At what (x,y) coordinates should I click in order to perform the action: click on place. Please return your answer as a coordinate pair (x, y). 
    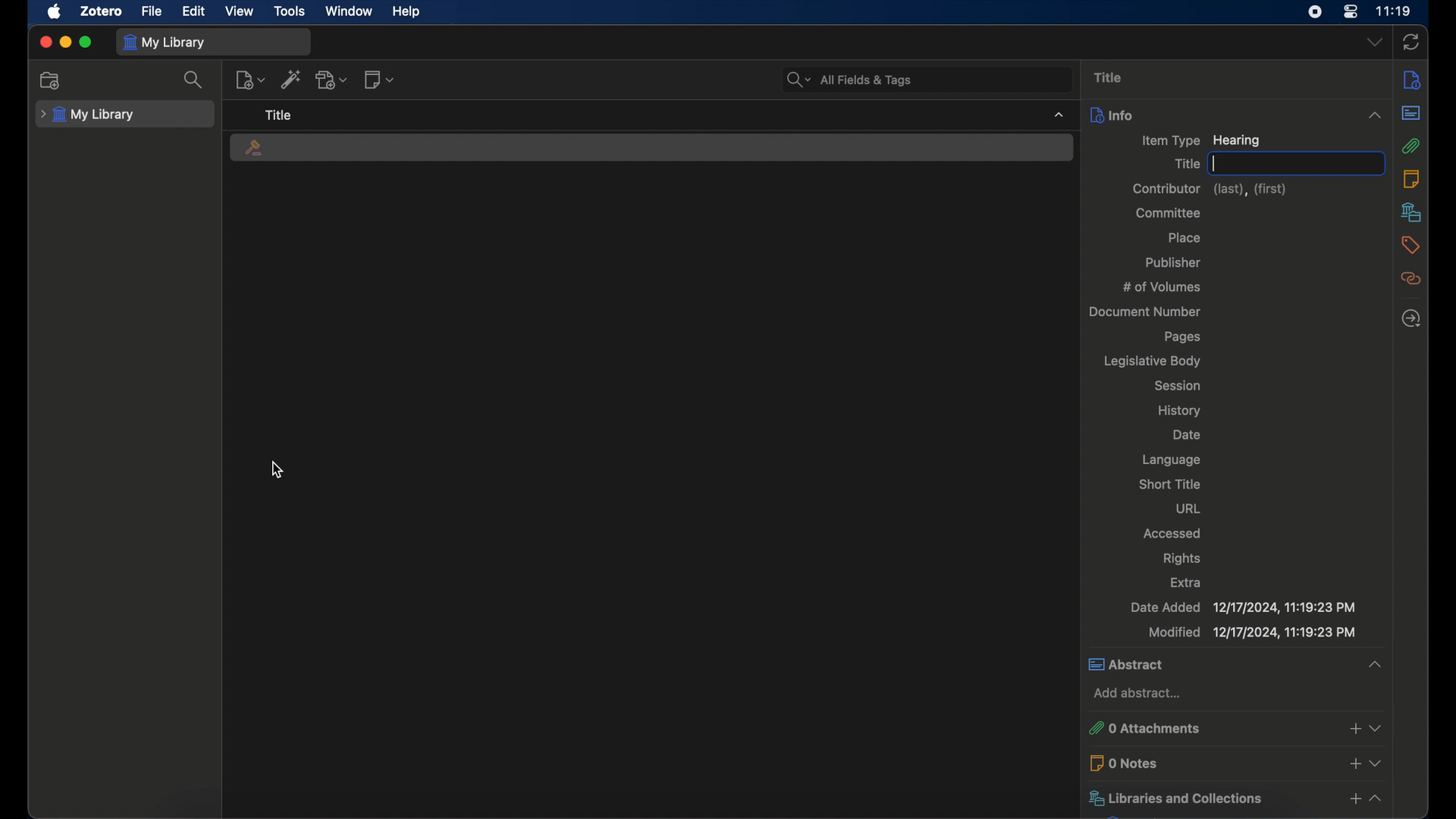
    Looking at the image, I should click on (1184, 237).